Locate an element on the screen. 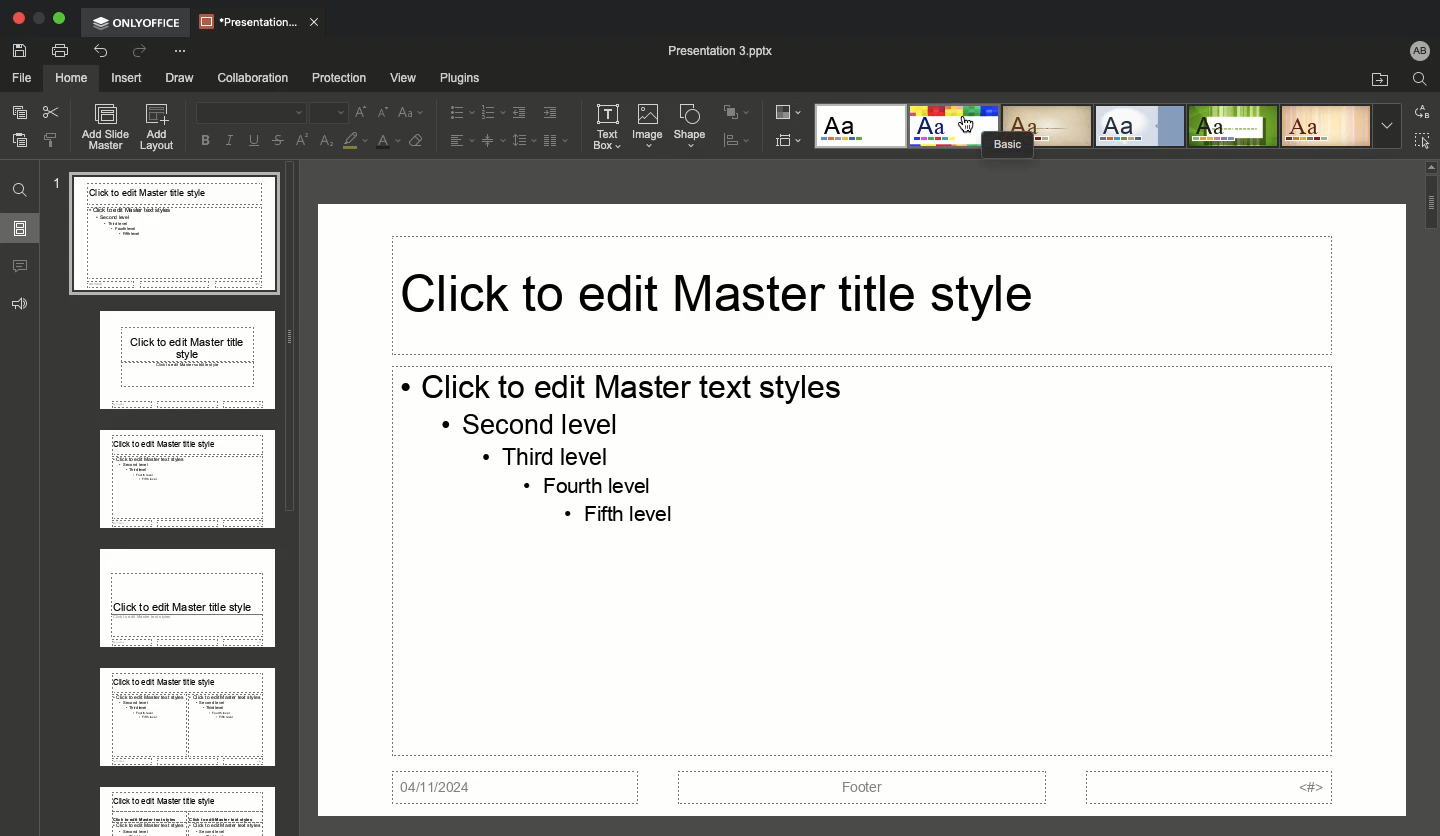  More styles is located at coordinates (1384, 126).